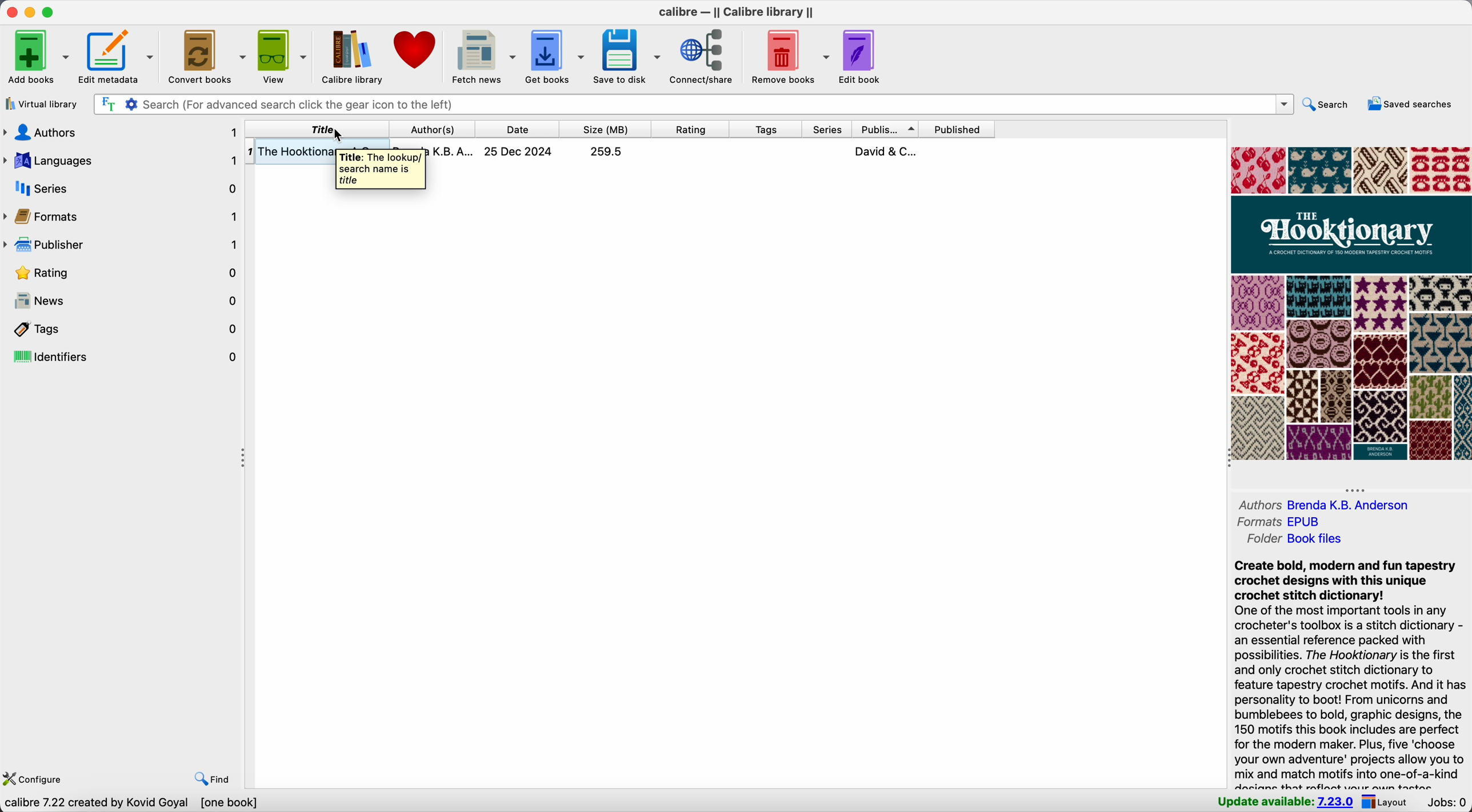 Image resolution: width=1472 pixels, height=812 pixels. What do you see at coordinates (339, 137) in the screenshot?
I see `Cursor` at bounding box center [339, 137].